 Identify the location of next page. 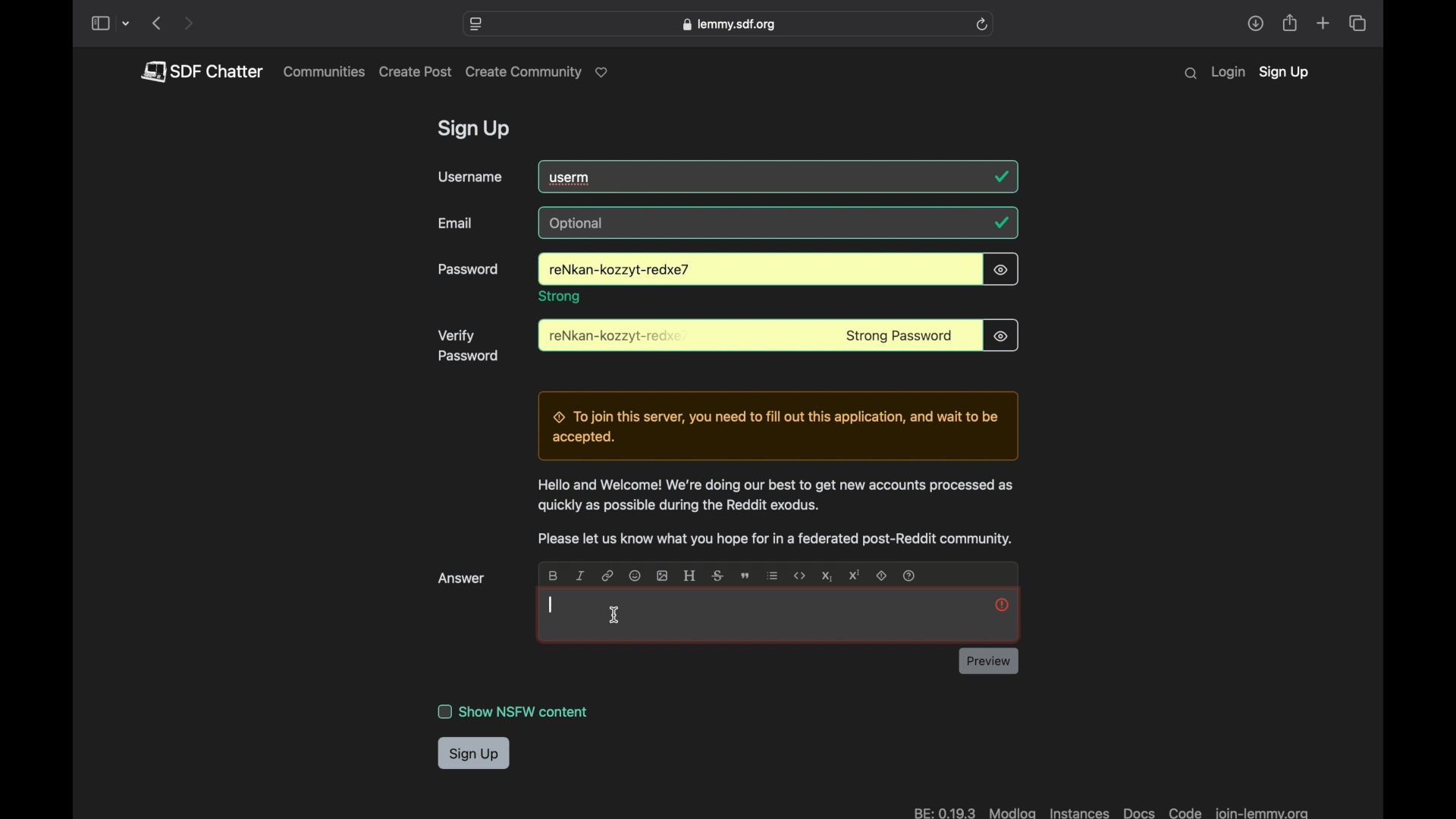
(188, 24).